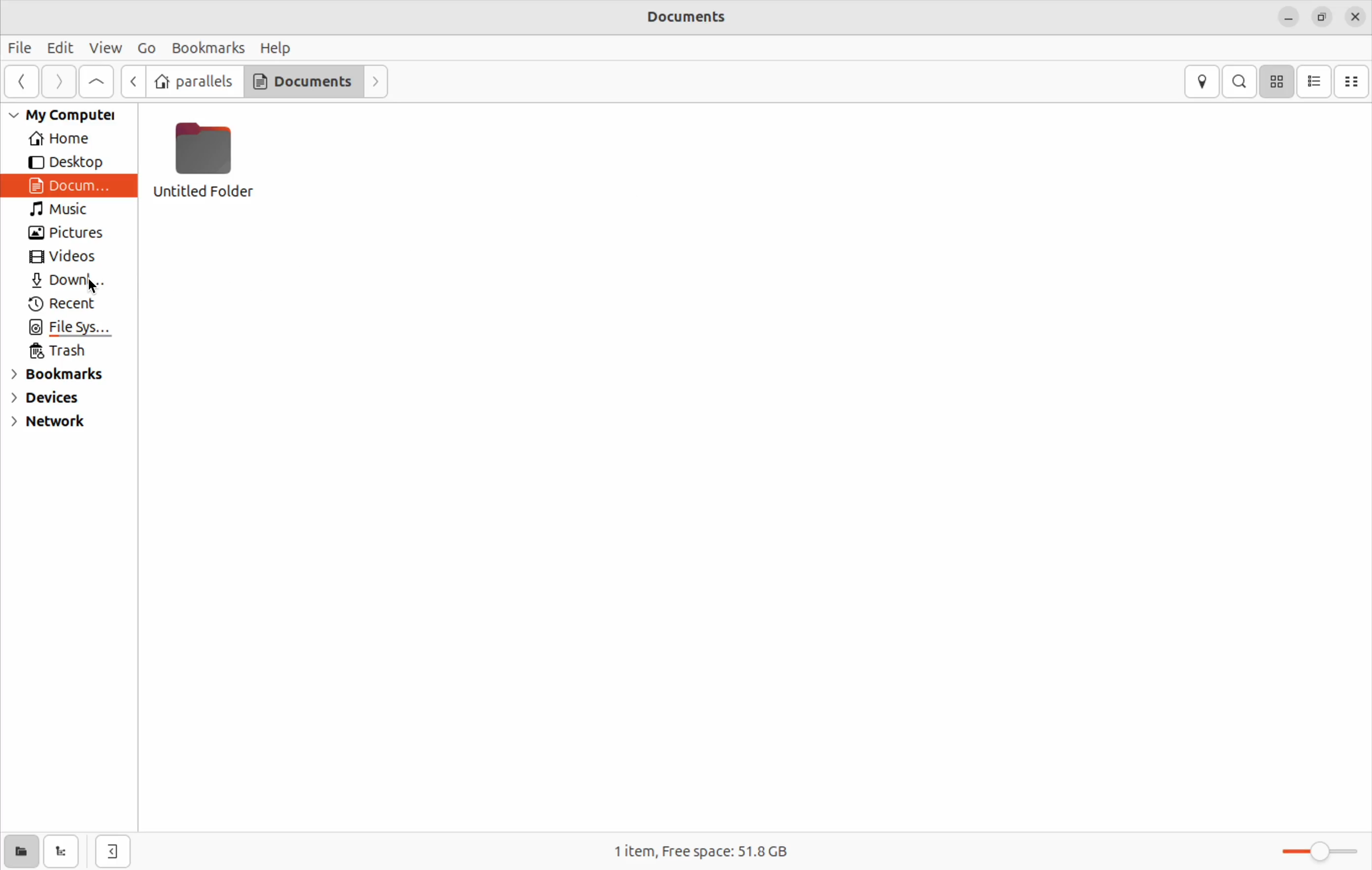  Describe the element at coordinates (66, 260) in the screenshot. I see `videos` at that location.